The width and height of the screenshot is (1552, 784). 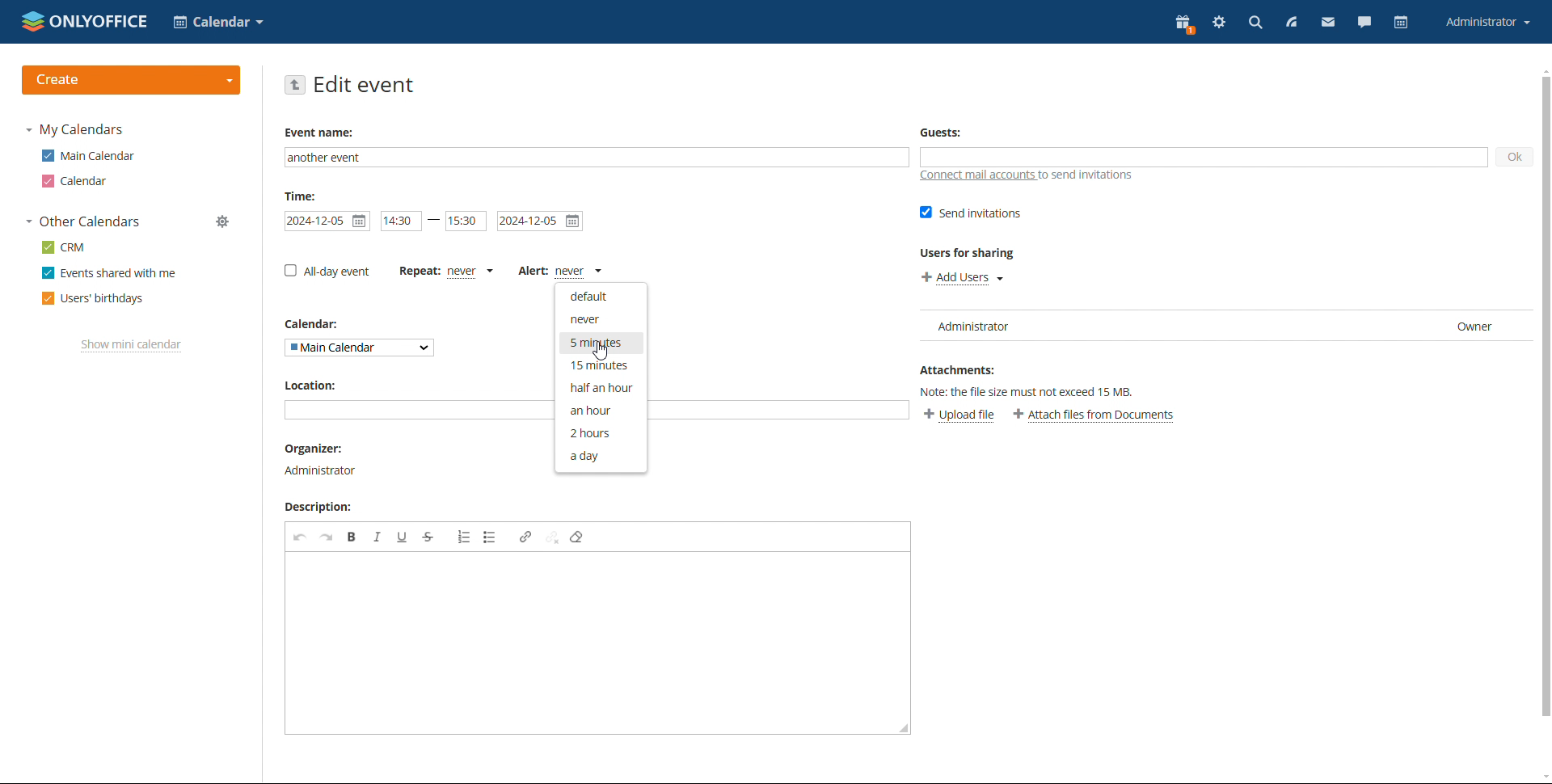 I want to click on Guests:, so click(x=940, y=132).